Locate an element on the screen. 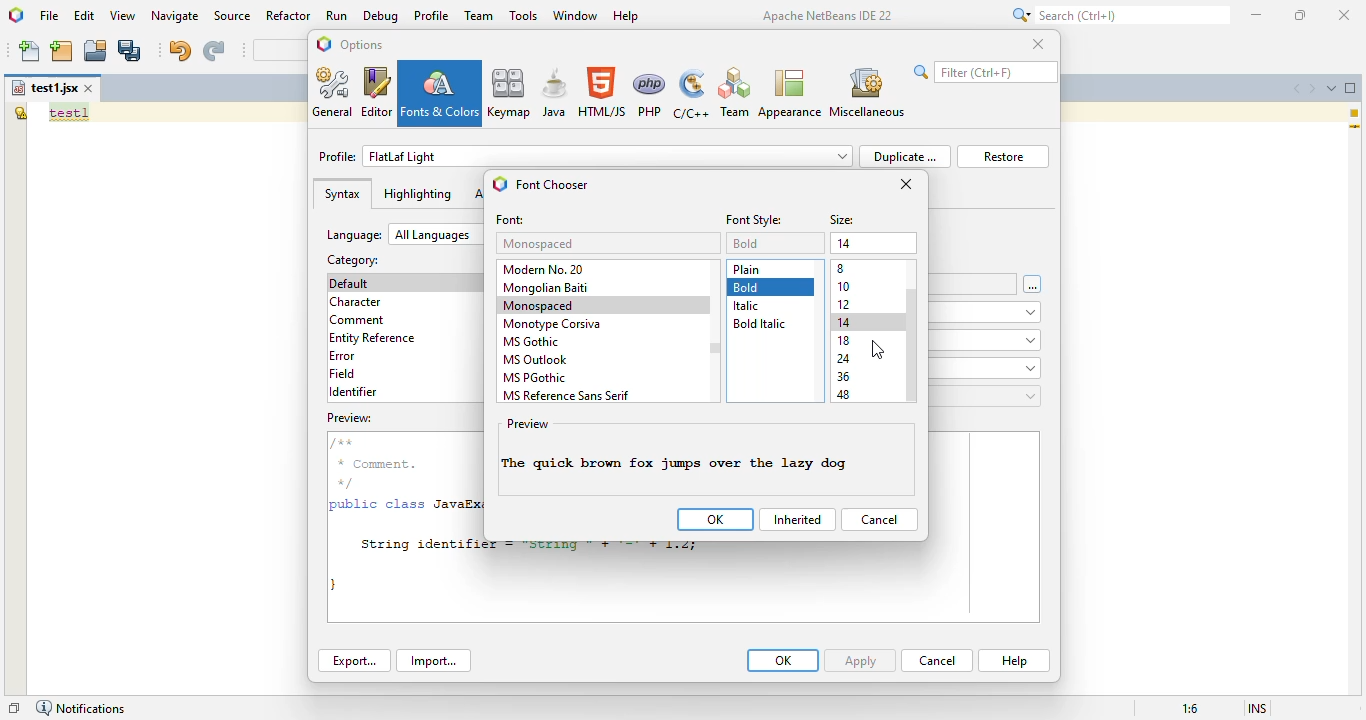 The image size is (1366, 720). category is located at coordinates (353, 259).